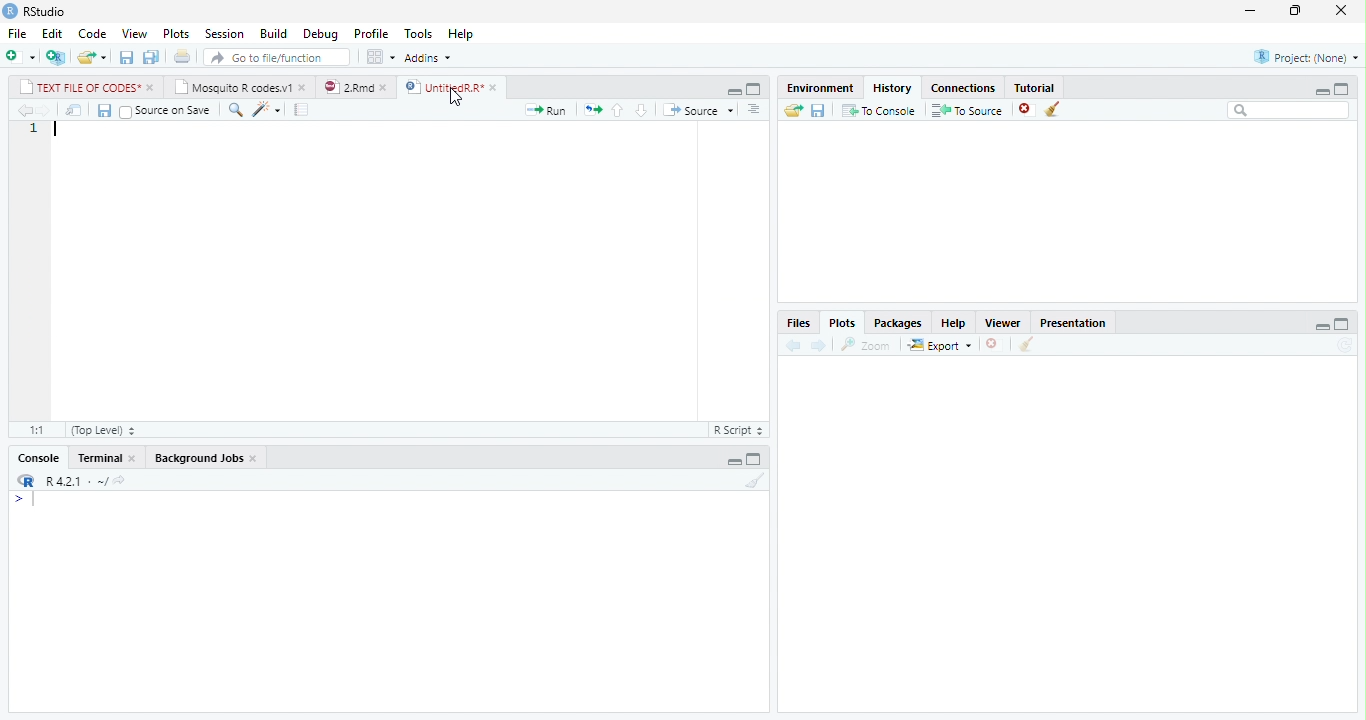 The width and height of the screenshot is (1366, 720). What do you see at coordinates (127, 57) in the screenshot?
I see `save` at bounding box center [127, 57].